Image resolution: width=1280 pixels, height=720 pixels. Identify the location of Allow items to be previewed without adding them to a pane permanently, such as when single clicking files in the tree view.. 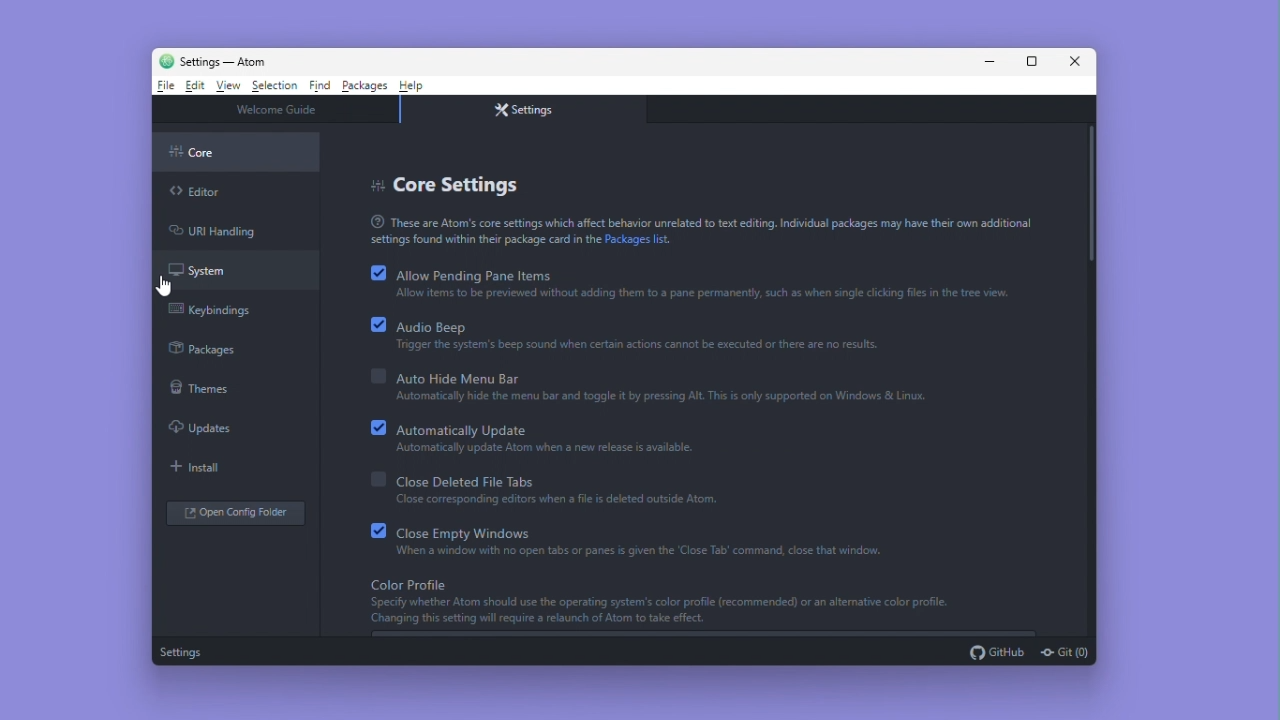
(701, 293).